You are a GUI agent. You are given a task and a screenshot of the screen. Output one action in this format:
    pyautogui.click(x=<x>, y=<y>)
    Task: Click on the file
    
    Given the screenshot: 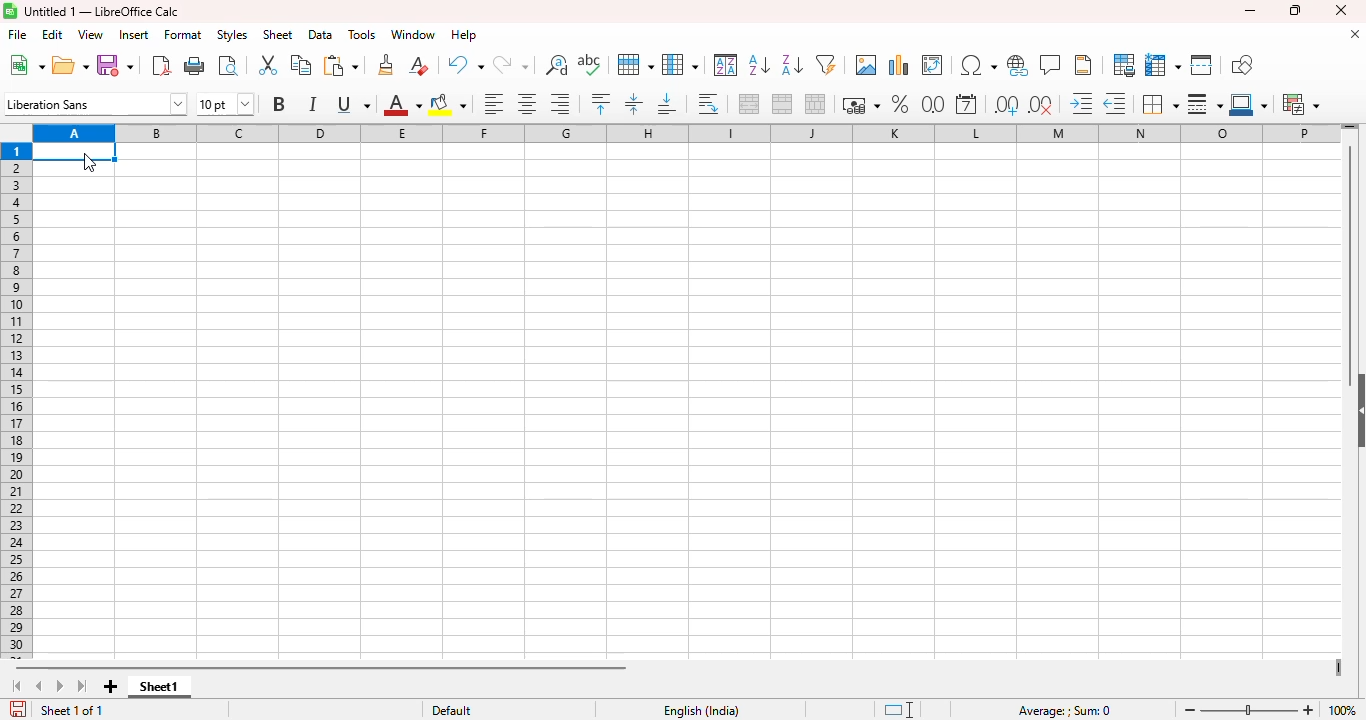 What is the action you would take?
    pyautogui.click(x=18, y=34)
    